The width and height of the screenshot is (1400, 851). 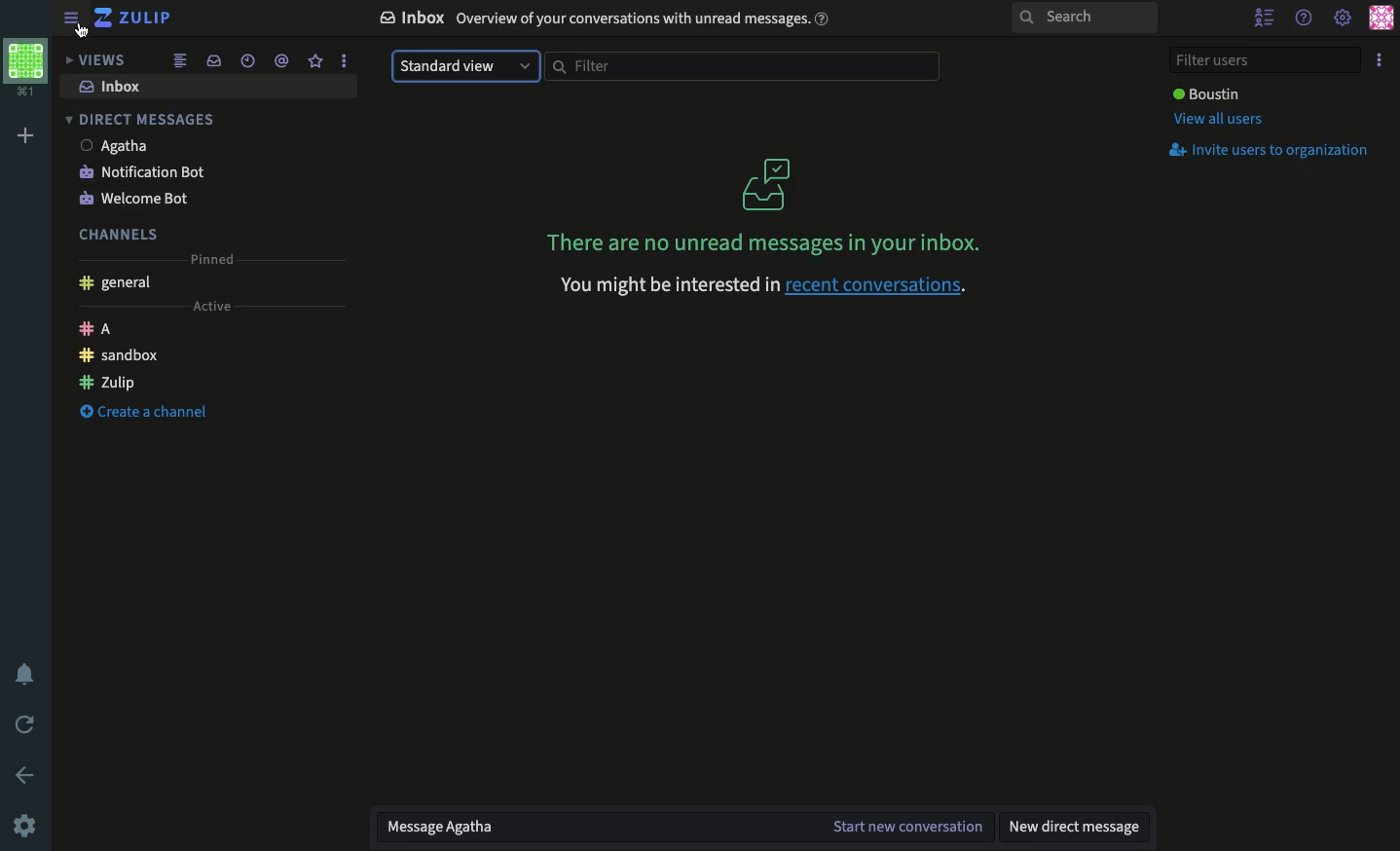 What do you see at coordinates (138, 198) in the screenshot?
I see `Welcome bot` at bounding box center [138, 198].